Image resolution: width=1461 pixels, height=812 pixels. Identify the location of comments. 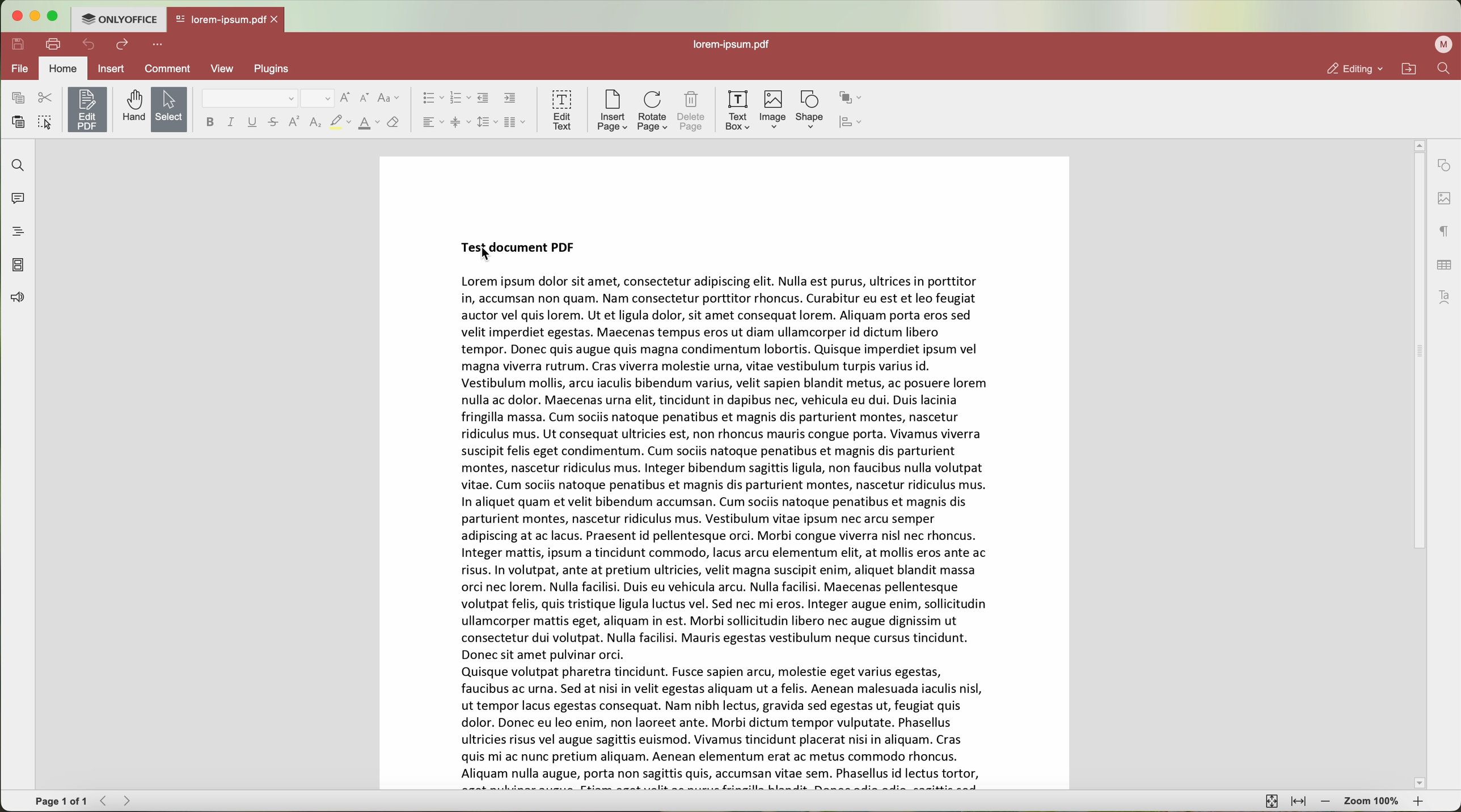
(16, 200).